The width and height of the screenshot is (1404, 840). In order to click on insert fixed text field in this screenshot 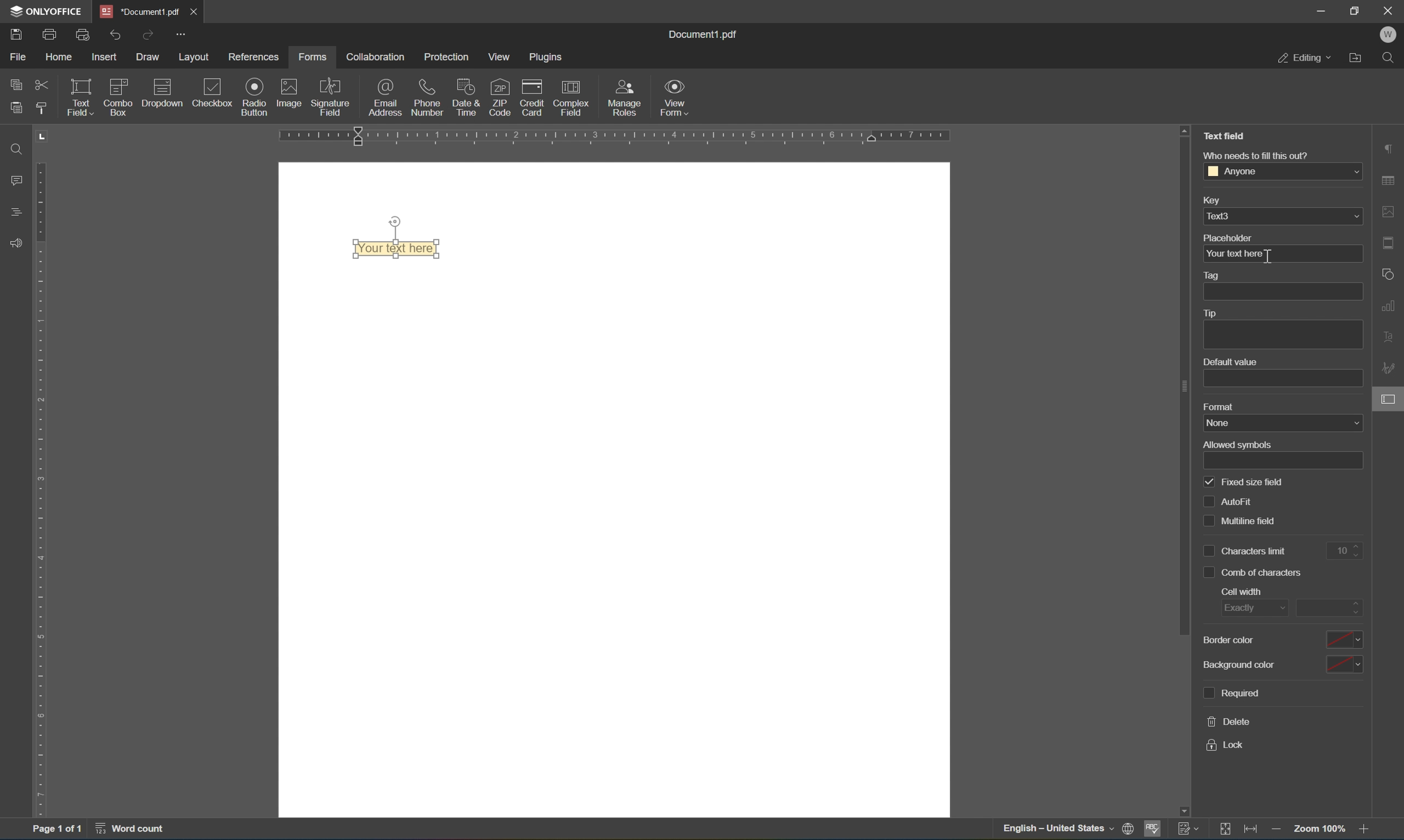, I will do `click(143, 113)`.